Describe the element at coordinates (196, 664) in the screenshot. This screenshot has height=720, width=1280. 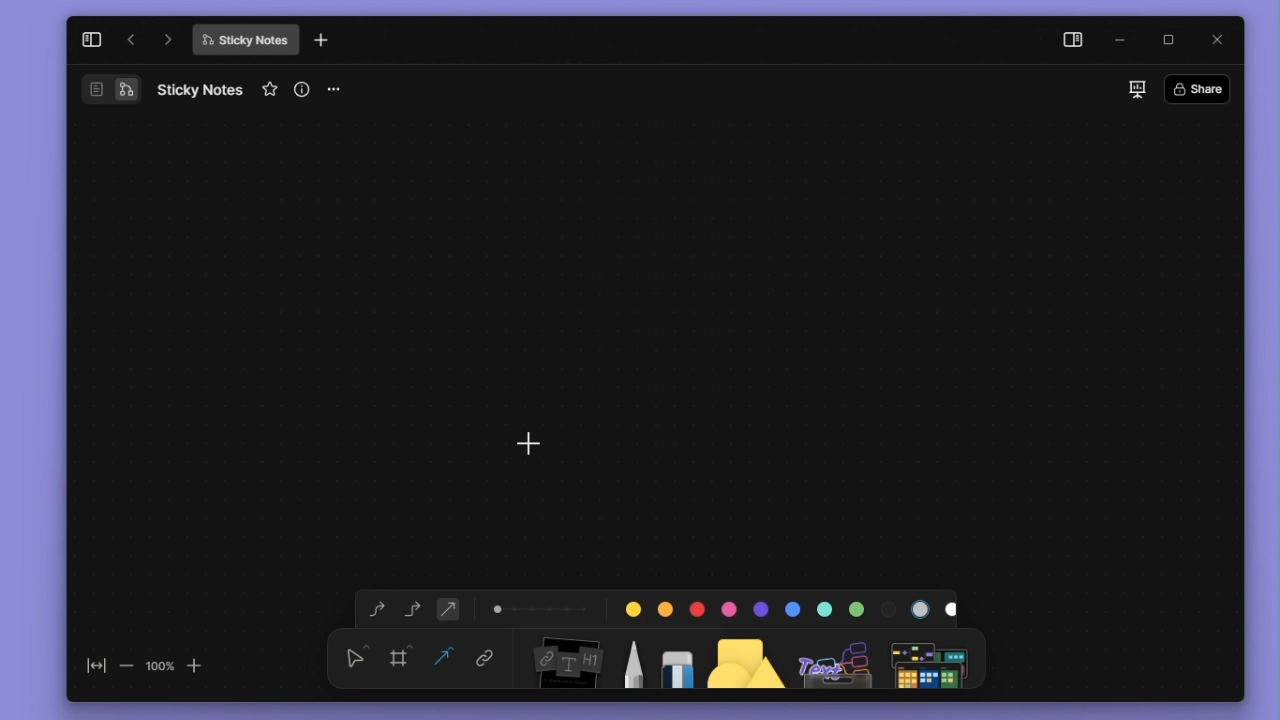
I see `zoom in` at that location.